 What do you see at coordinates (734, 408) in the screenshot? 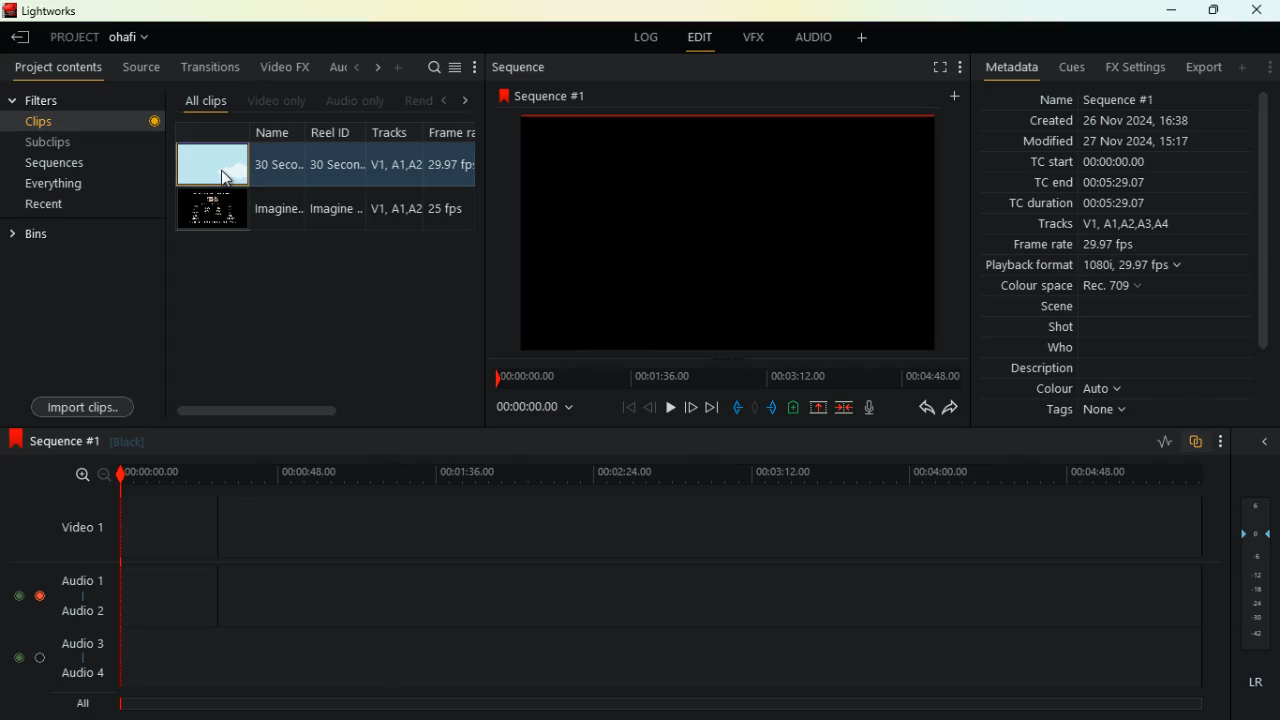
I see `pull` at bounding box center [734, 408].